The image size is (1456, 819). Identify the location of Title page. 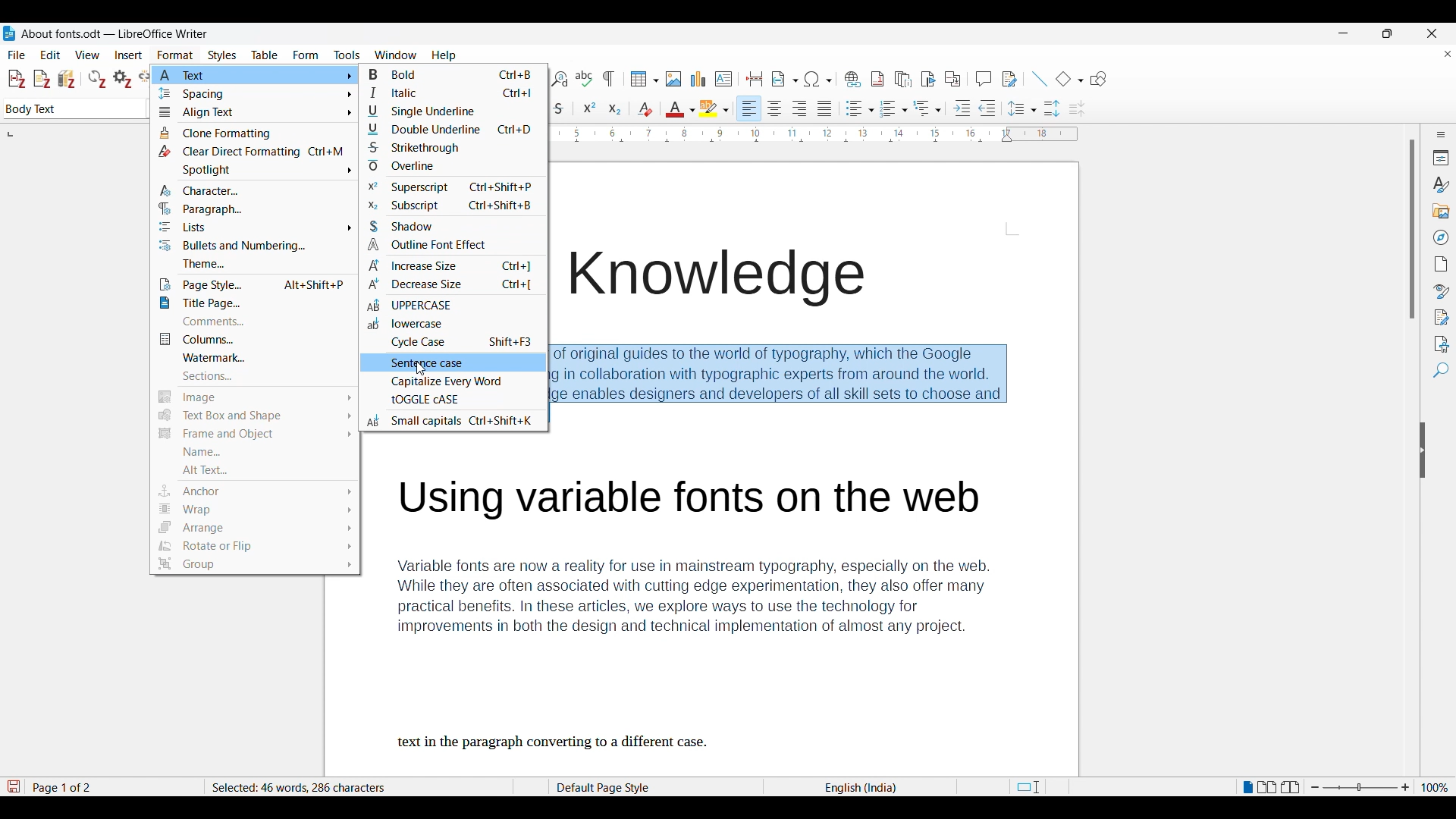
(249, 303).